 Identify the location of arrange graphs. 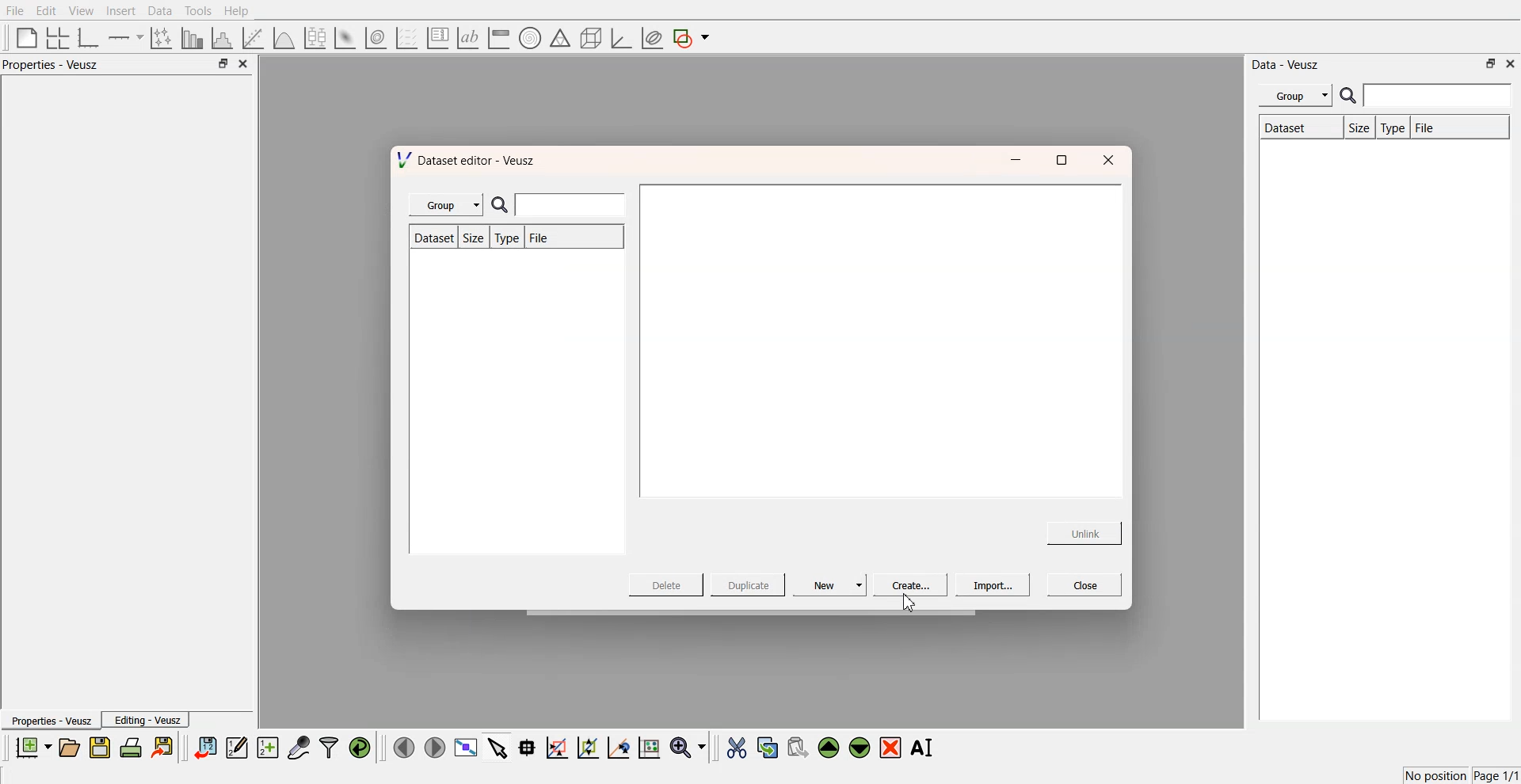
(55, 37).